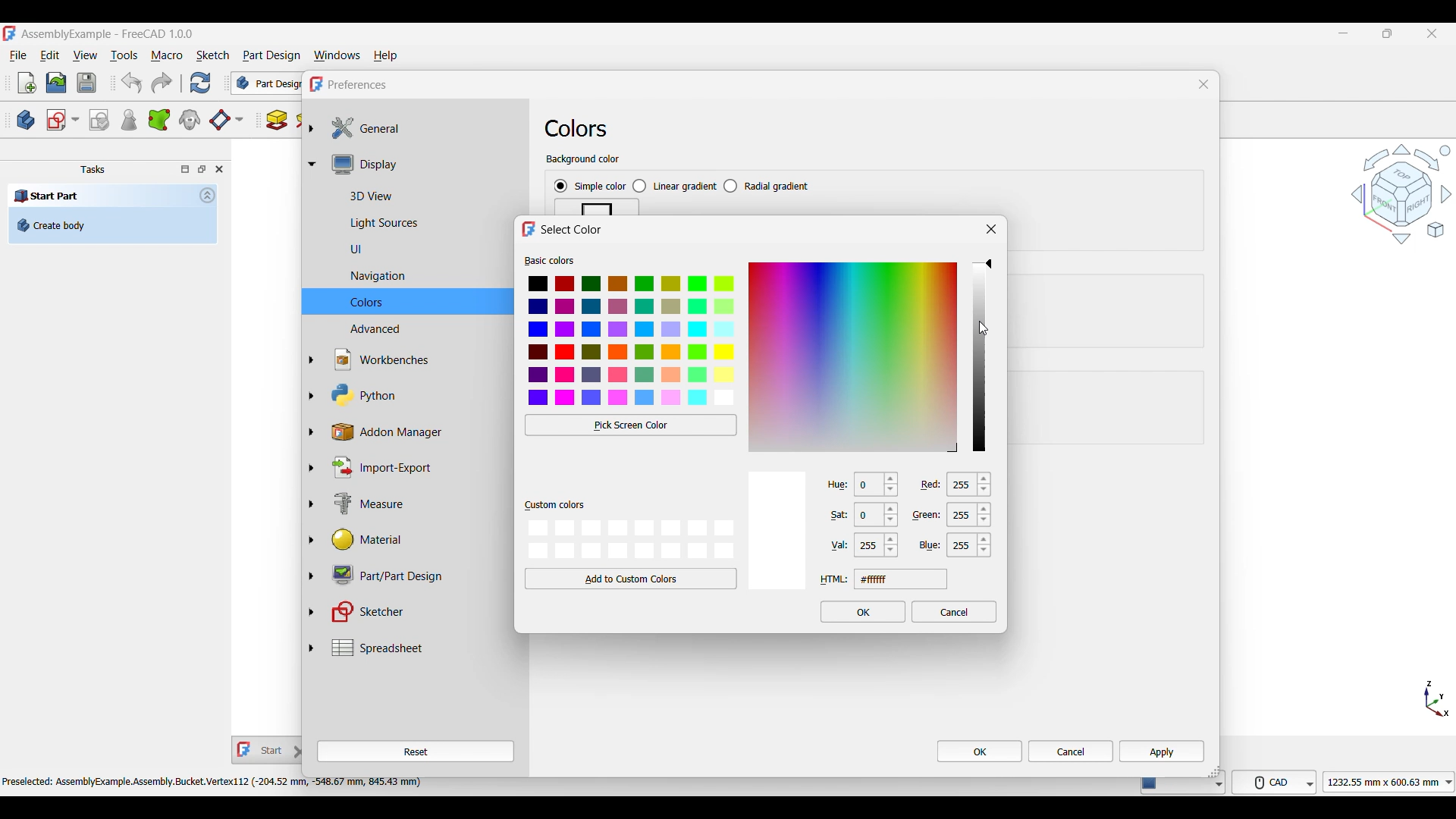  I want to click on Show in smaller tab, so click(1388, 33).